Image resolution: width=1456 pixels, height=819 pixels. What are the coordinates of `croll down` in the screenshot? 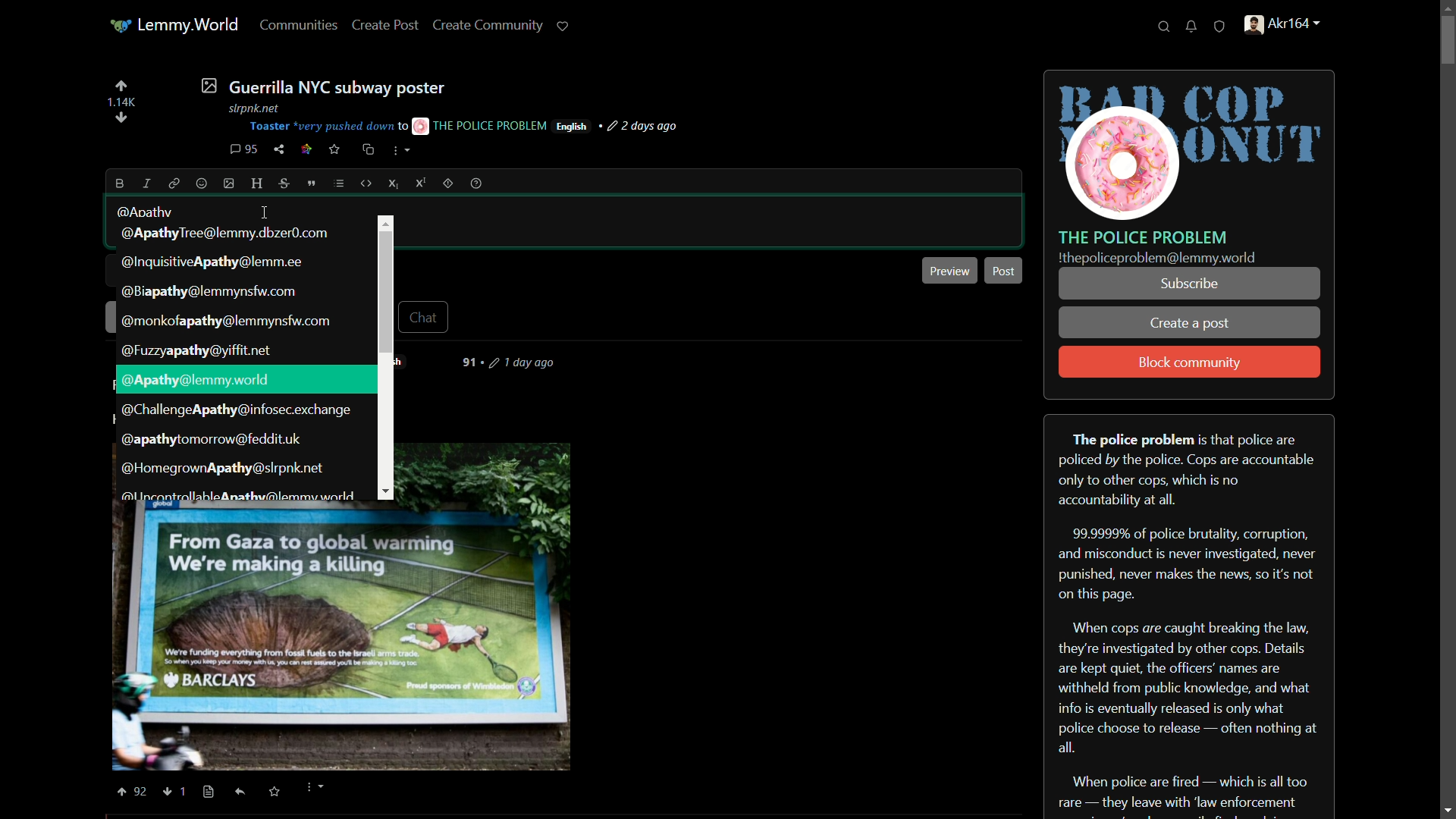 It's located at (1445, 808).